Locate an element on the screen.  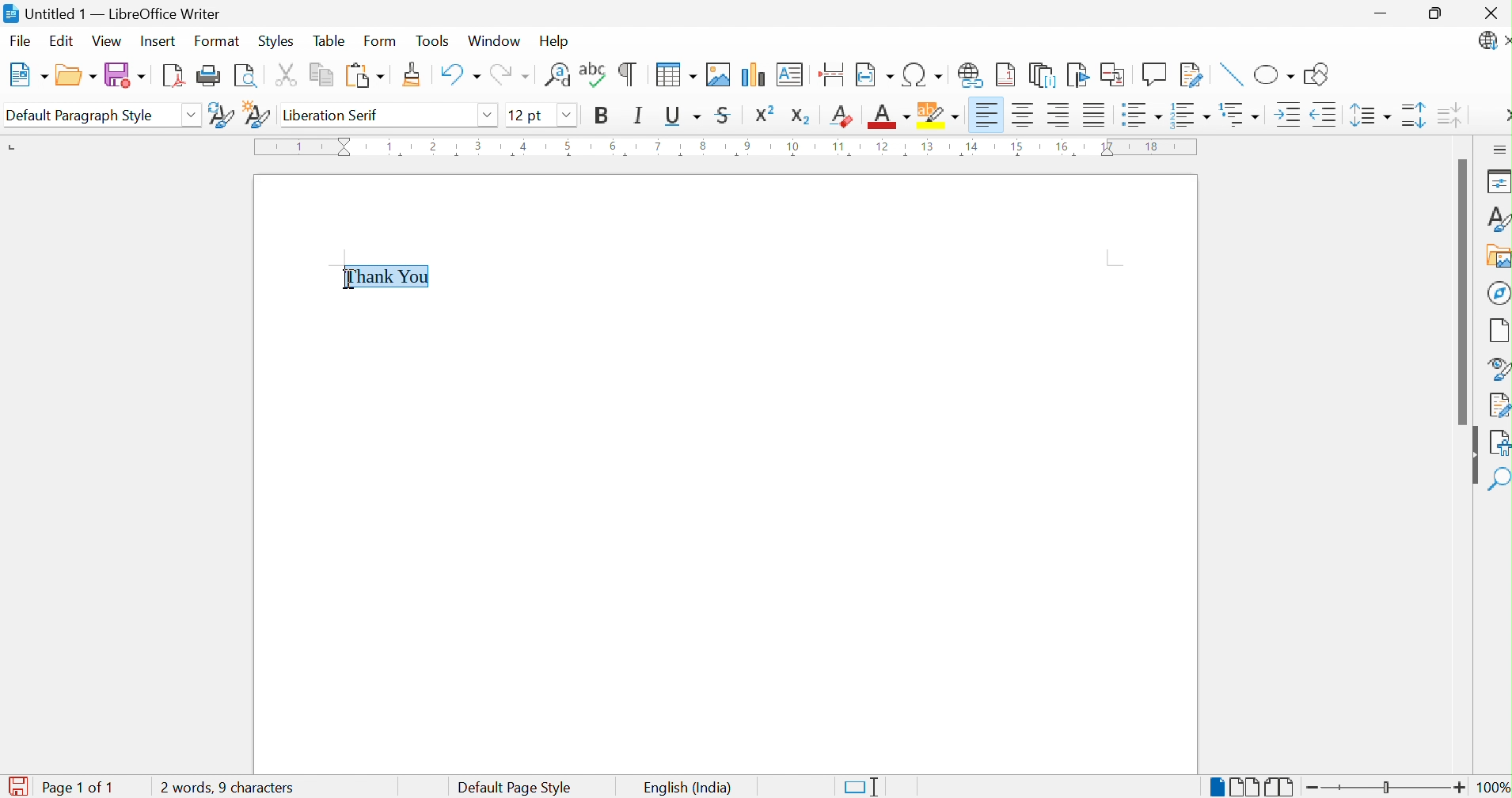
Align Left is located at coordinates (986, 114).